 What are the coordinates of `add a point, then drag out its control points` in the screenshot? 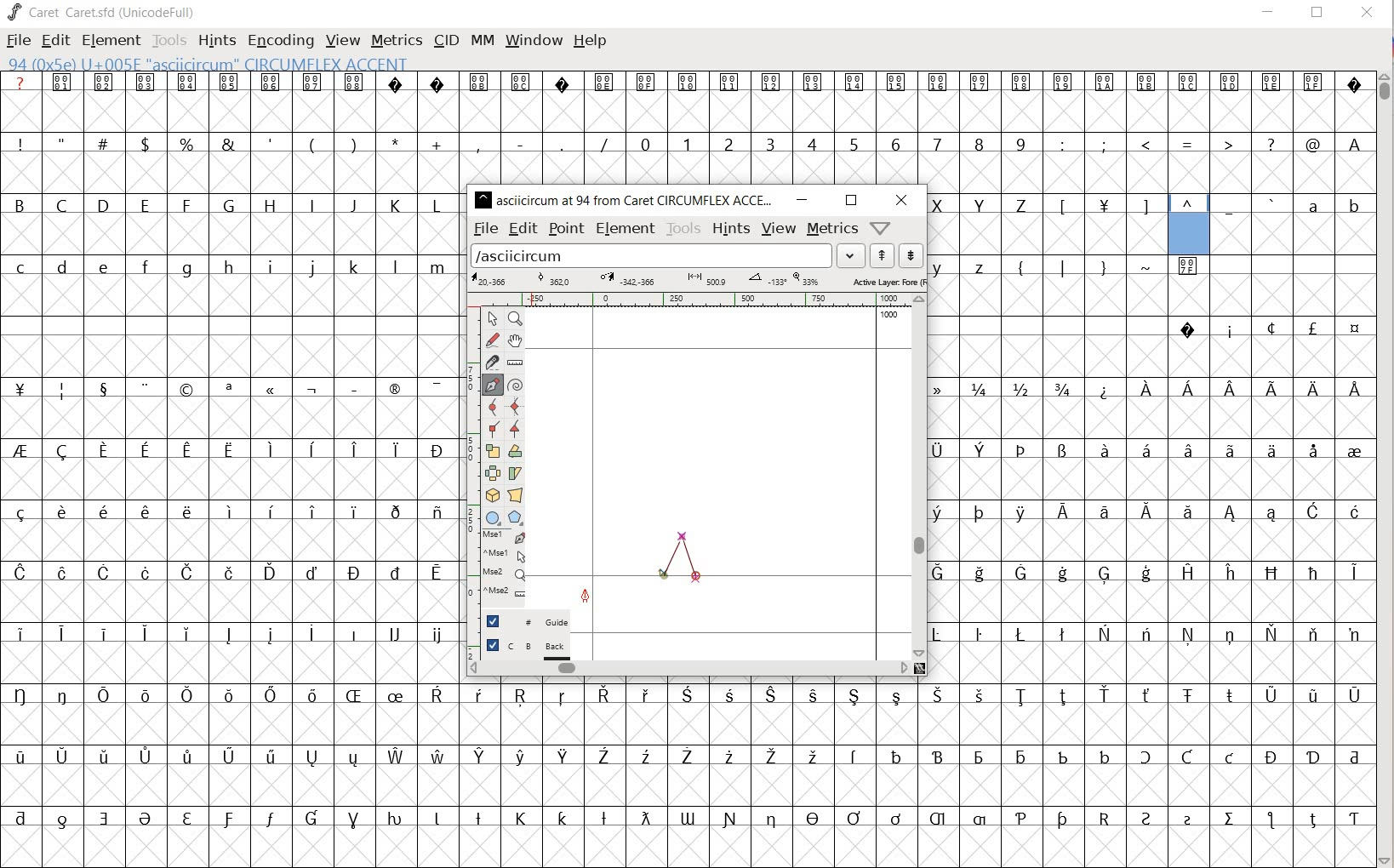 It's located at (491, 384).